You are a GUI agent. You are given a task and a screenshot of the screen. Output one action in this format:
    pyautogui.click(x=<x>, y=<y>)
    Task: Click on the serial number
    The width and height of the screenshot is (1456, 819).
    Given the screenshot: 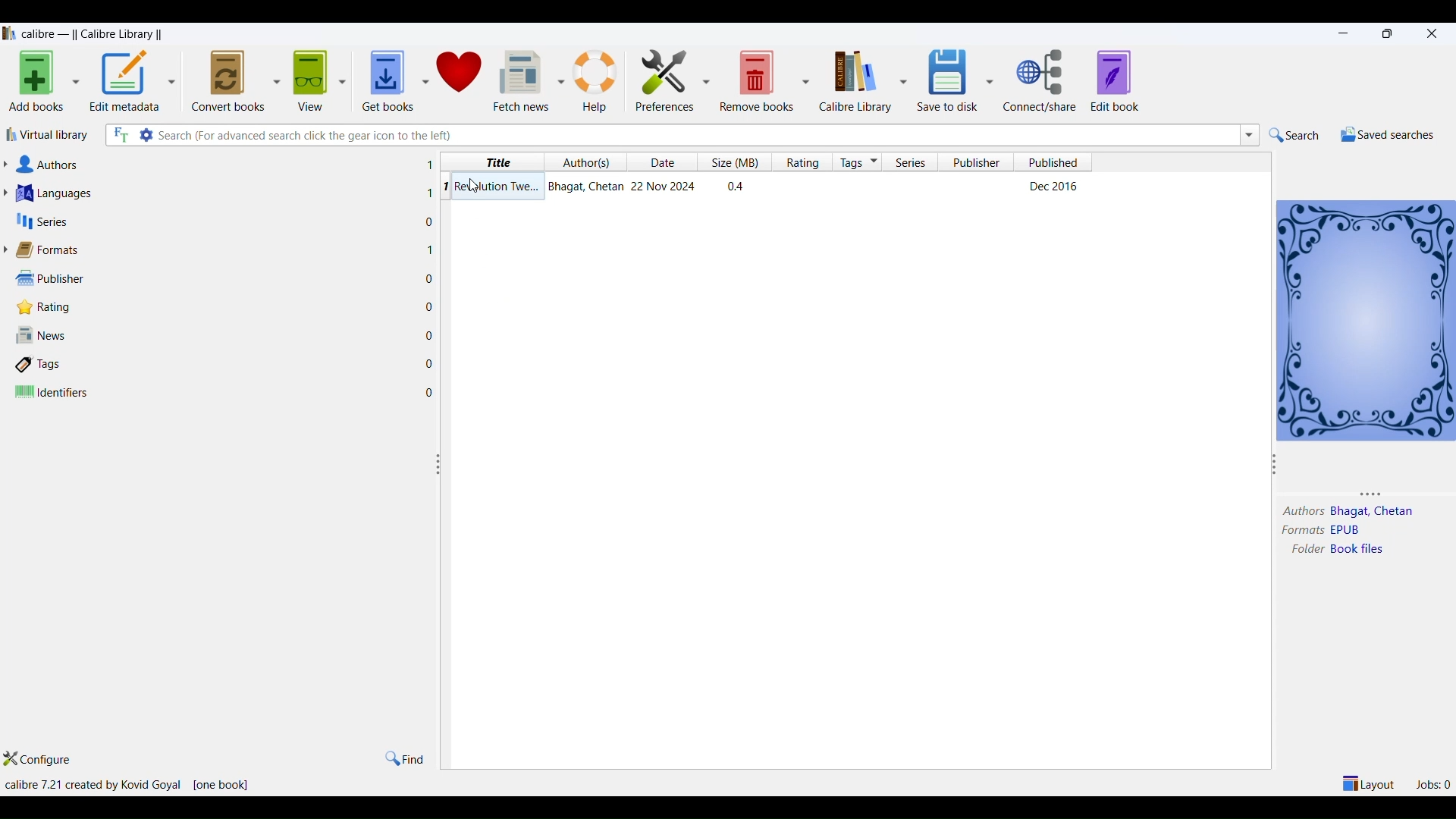 What is the action you would take?
    pyautogui.click(x=444, y=186)
    